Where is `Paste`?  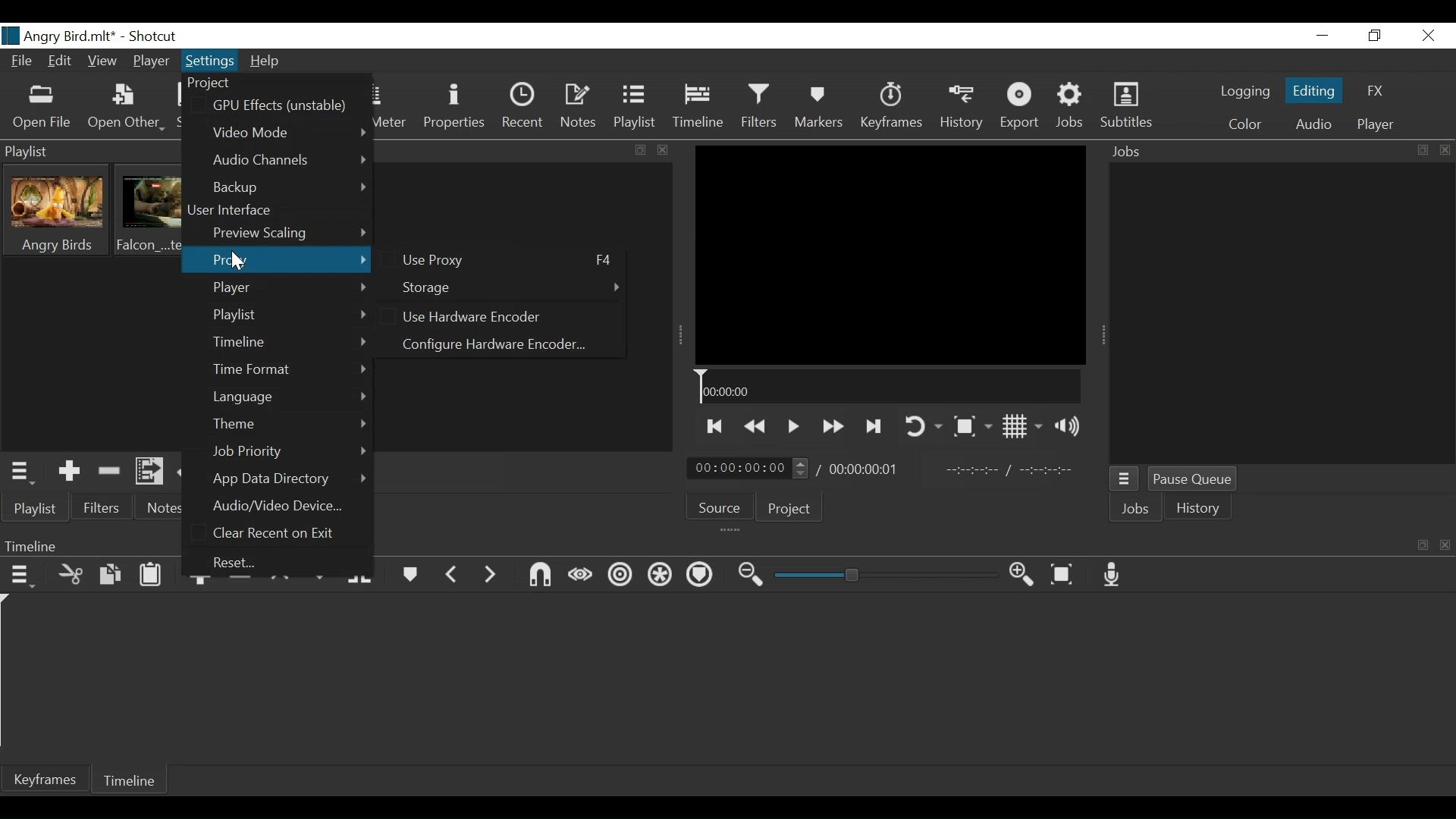 Paste is located at coordinates (152, 576).